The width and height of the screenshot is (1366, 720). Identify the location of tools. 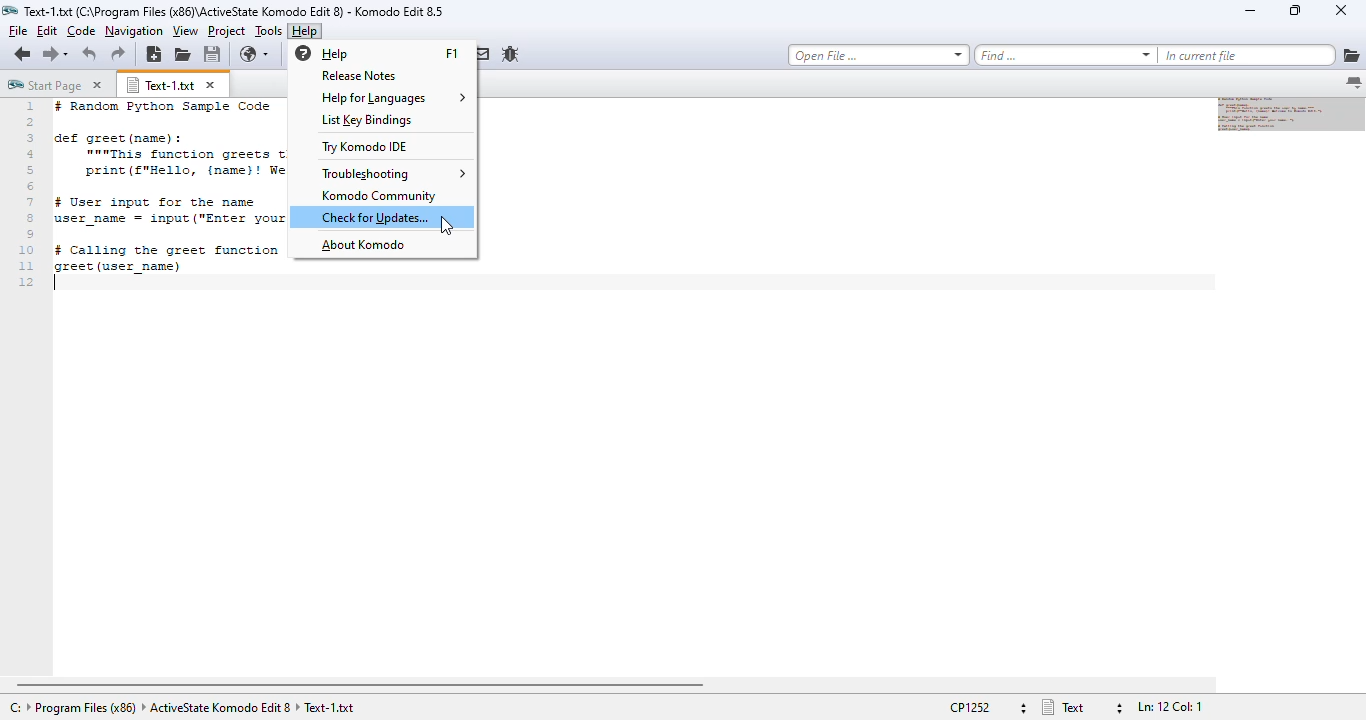
(269, 31).